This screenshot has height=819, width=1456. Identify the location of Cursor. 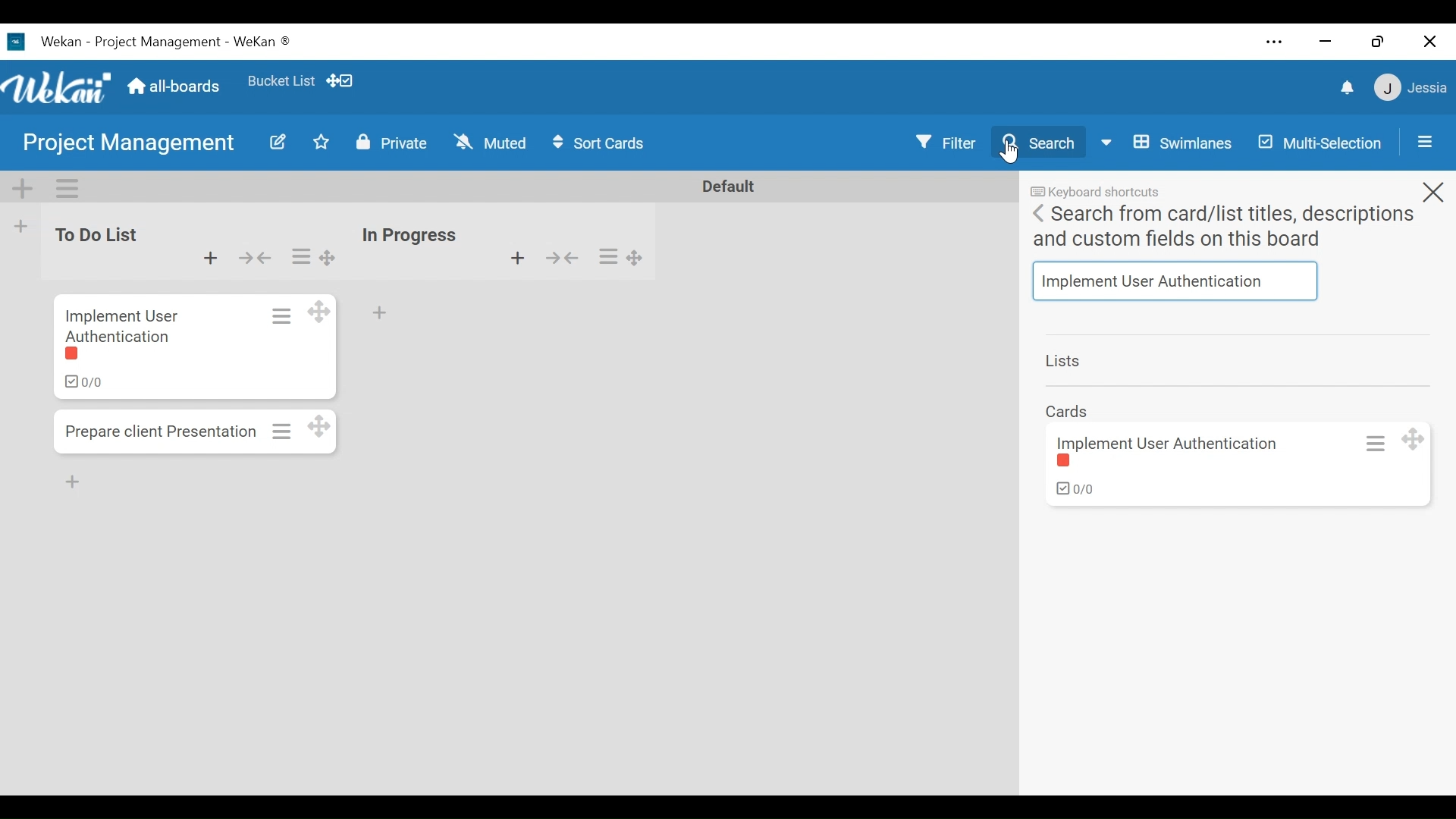
(1009, 152).